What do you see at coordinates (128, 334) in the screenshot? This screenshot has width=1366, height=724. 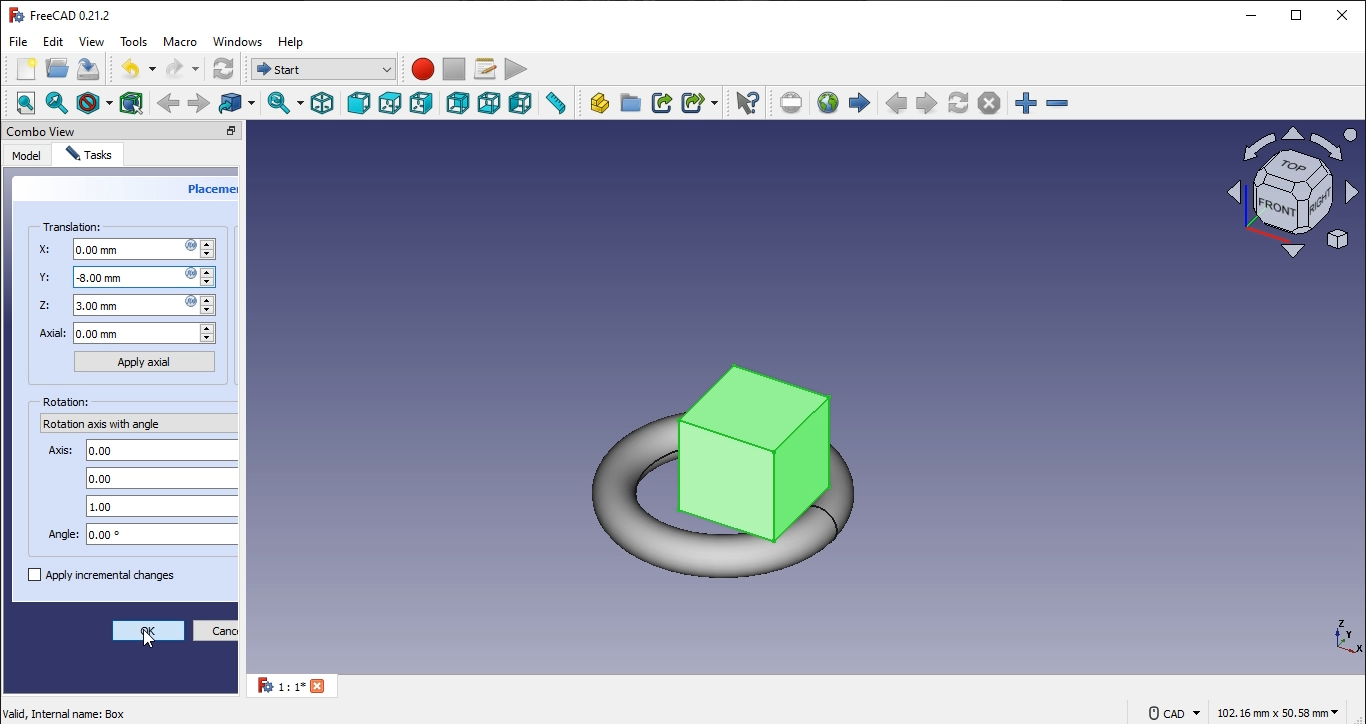 I see `axial` at bounding box center [128, 334].